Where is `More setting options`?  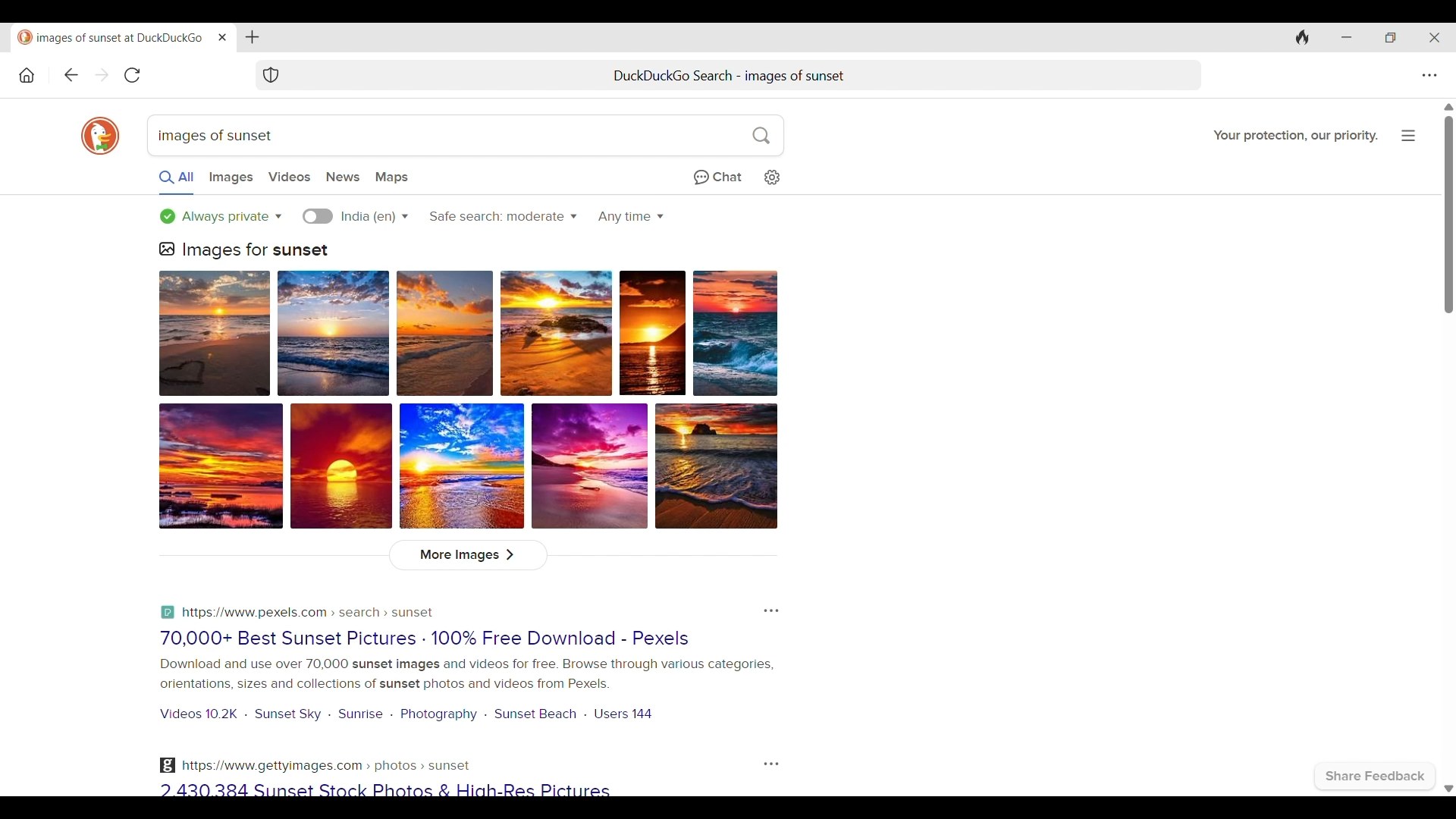
More setting options is located at coordinates (1430, 76).